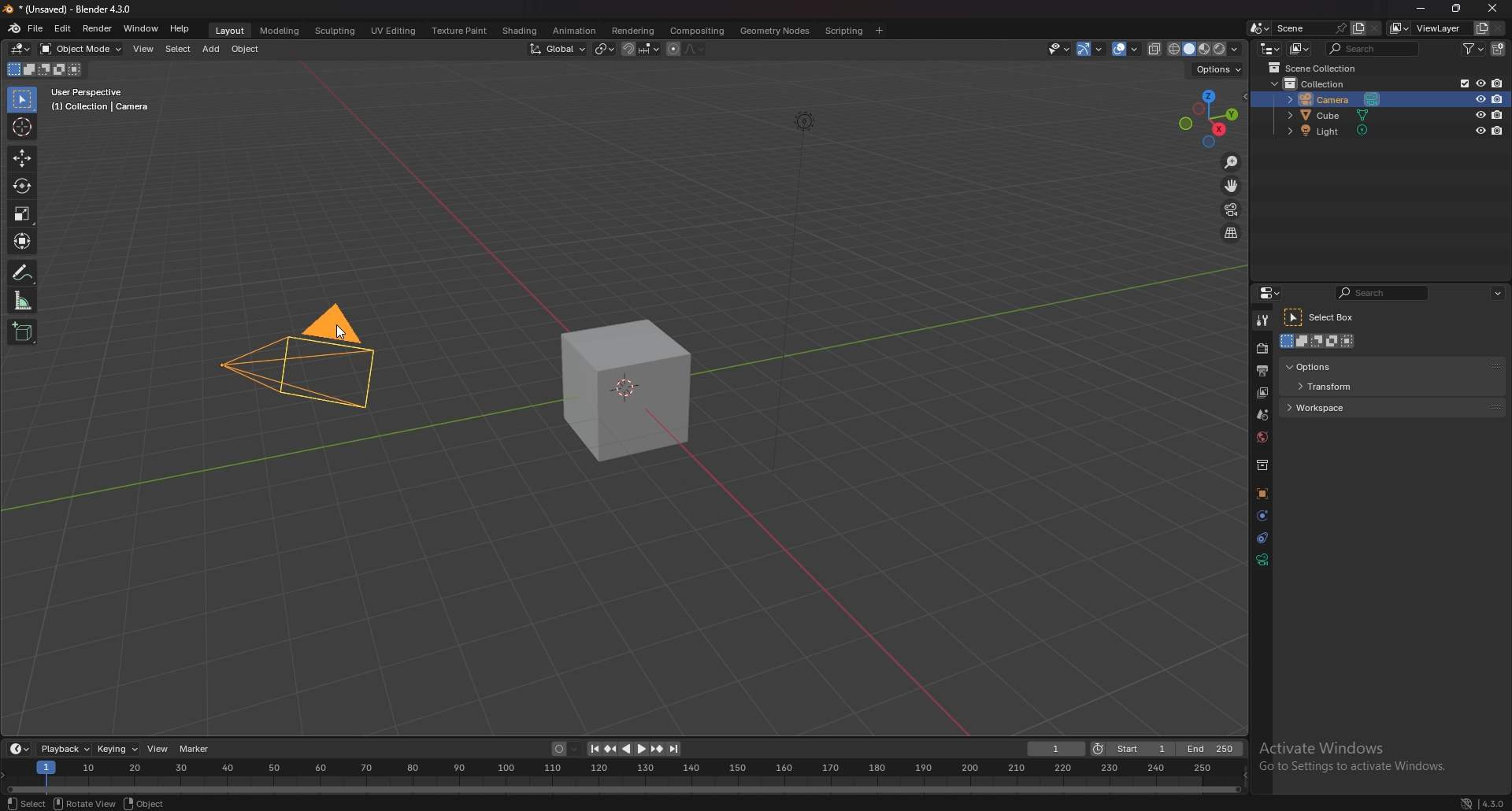 The width and height of the screenshot is (1512, 811). What do you see at coordinates (1320, 341) in the screenshot?
I see `modes` at bounding box center [1320, 341].